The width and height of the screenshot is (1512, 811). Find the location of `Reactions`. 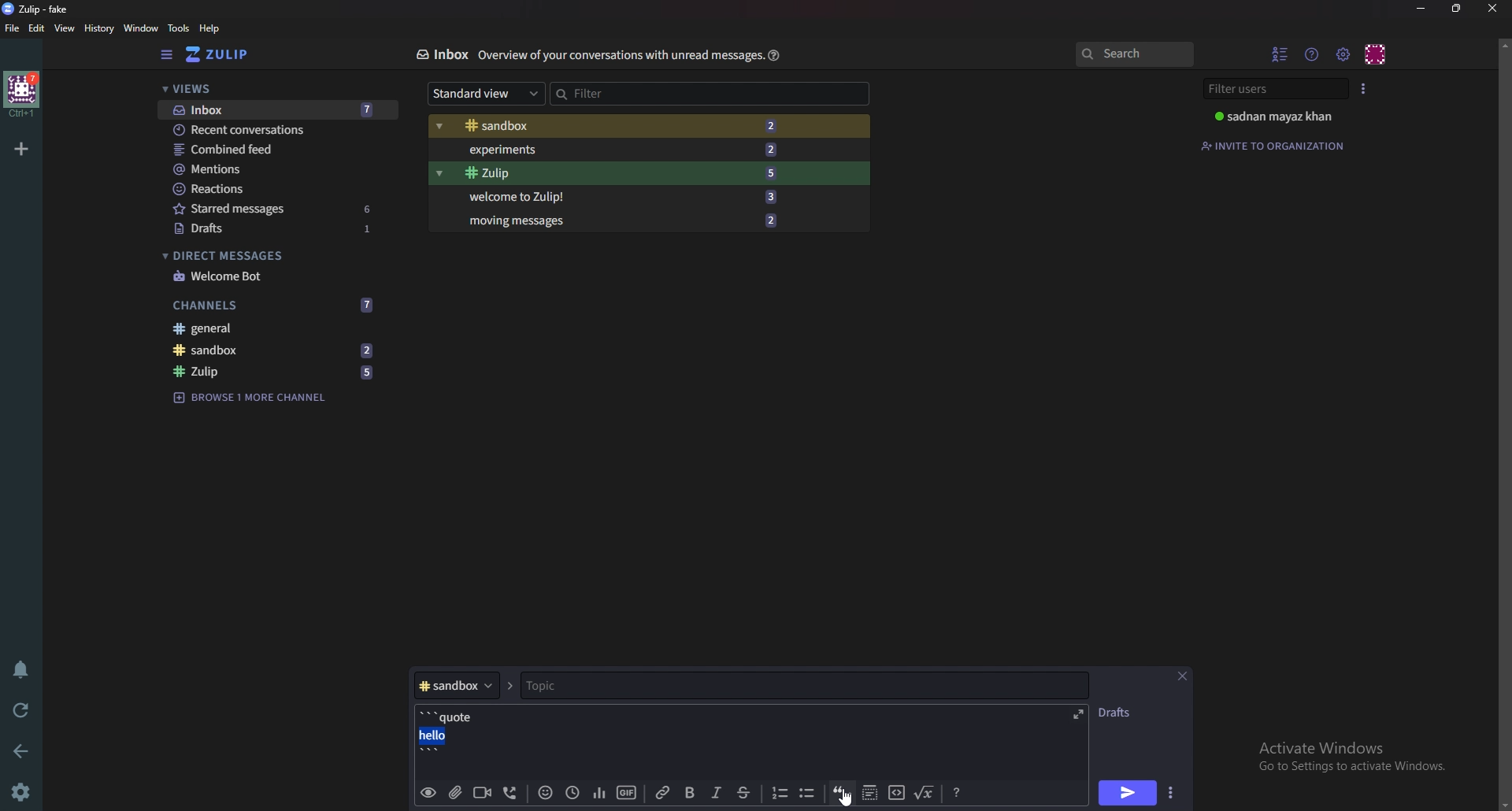

Reactions is located at coordinates (274, 188).